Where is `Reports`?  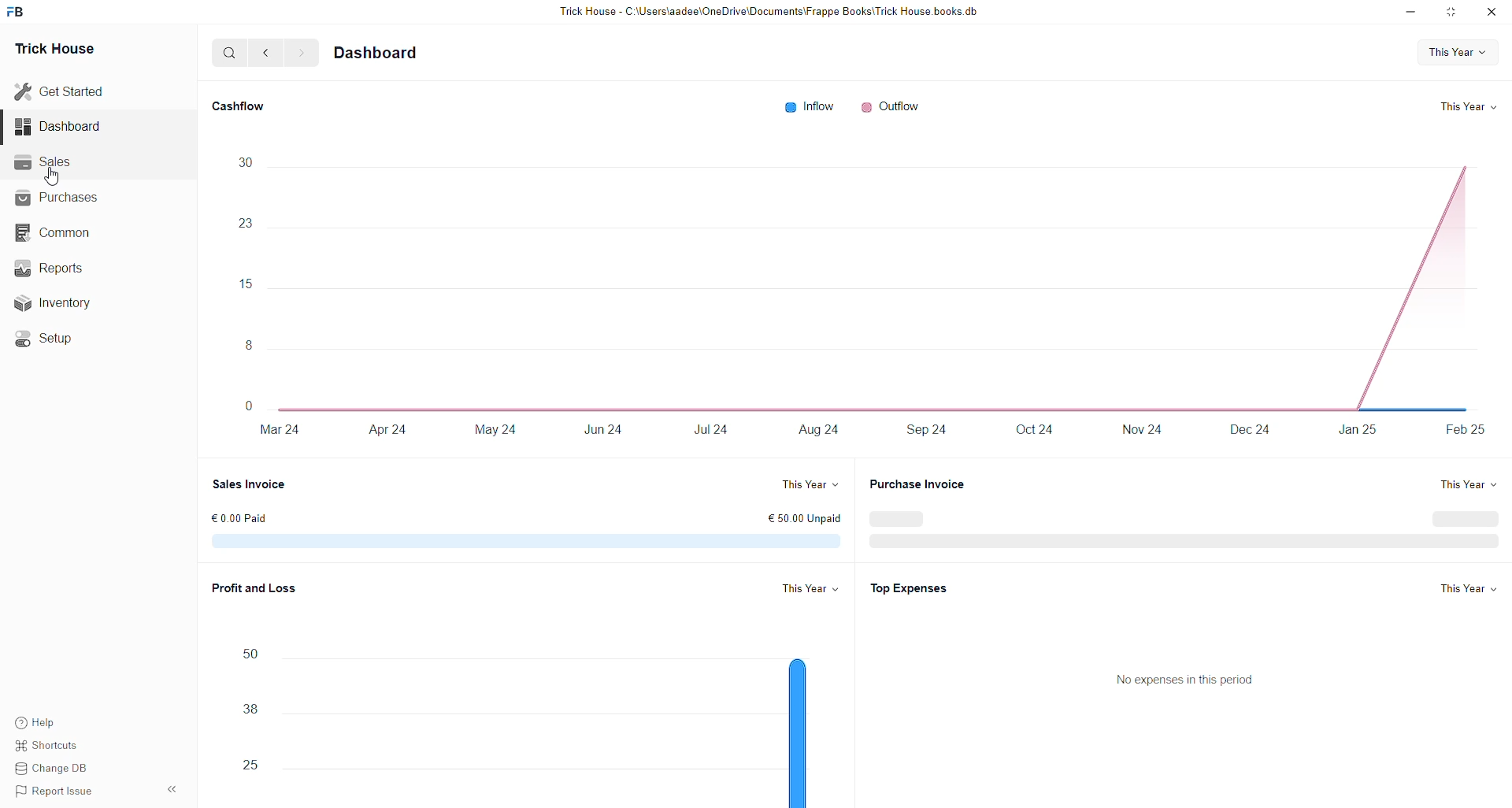
Reports is located at coordinates (57, 267).